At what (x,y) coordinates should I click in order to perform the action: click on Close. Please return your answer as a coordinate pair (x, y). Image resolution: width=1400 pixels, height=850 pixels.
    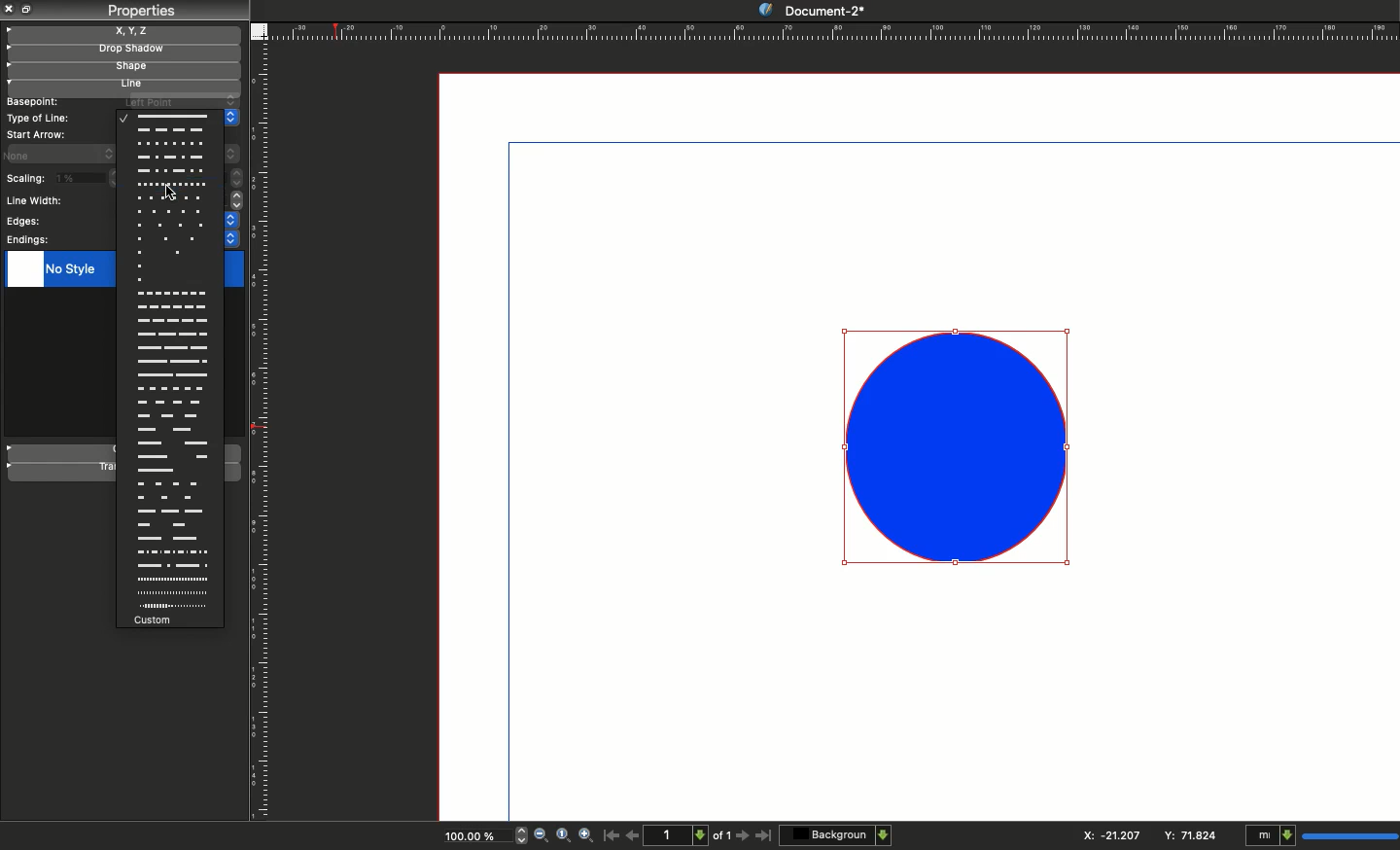
    Looking at the image, I should click on (10, 9).